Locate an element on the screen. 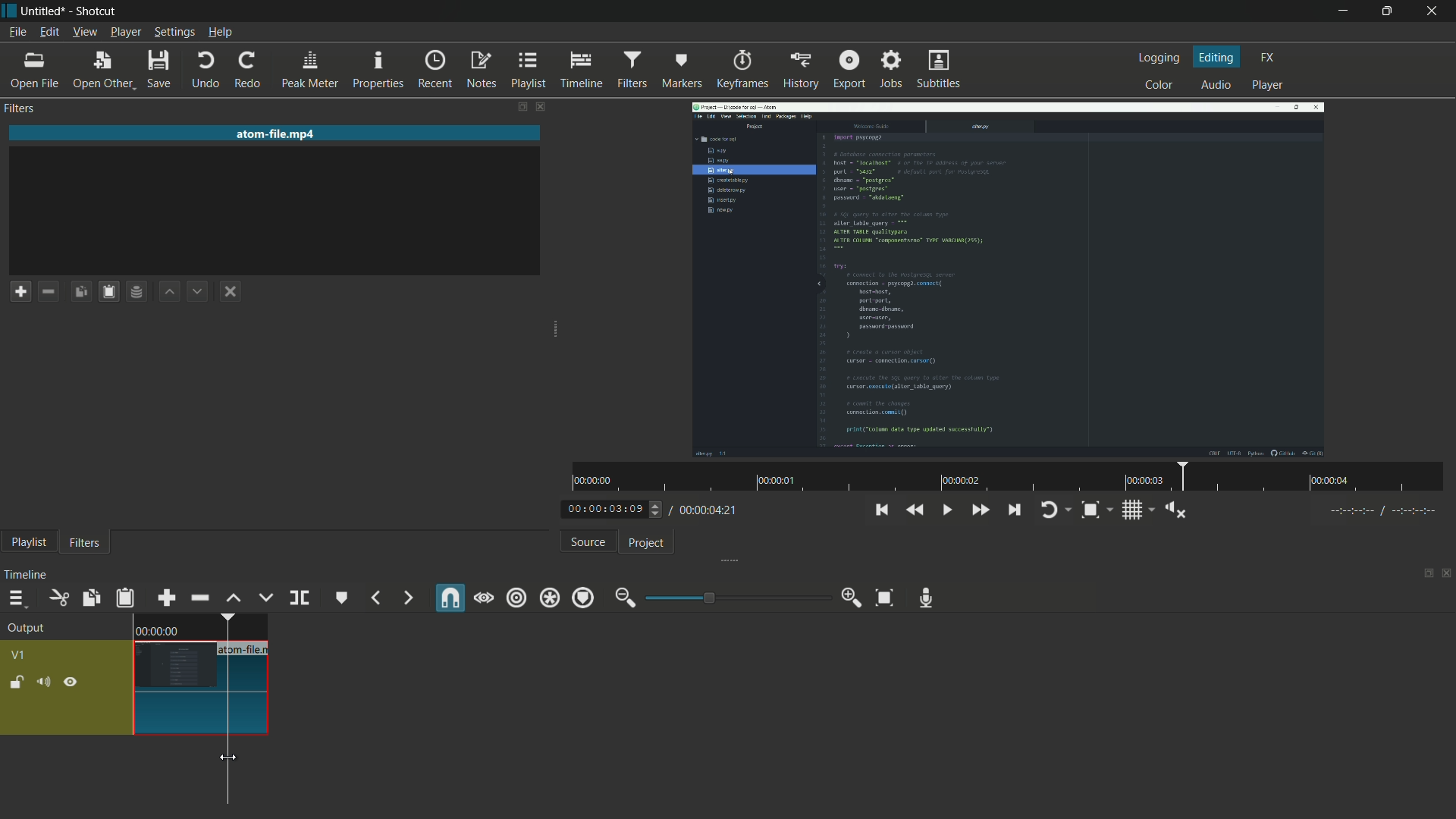  paste is located at coordinates (126, 598).